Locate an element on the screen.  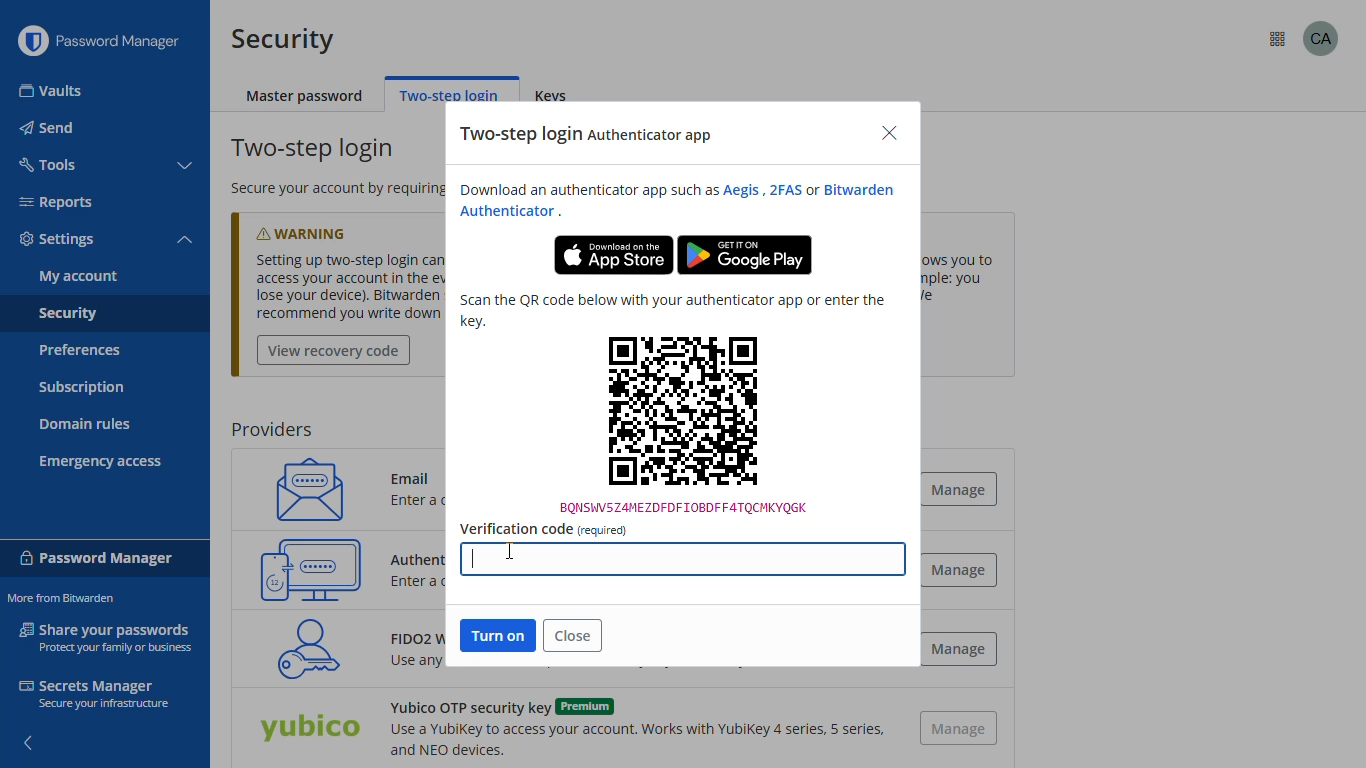
reports is located at coordinates (56, 202).